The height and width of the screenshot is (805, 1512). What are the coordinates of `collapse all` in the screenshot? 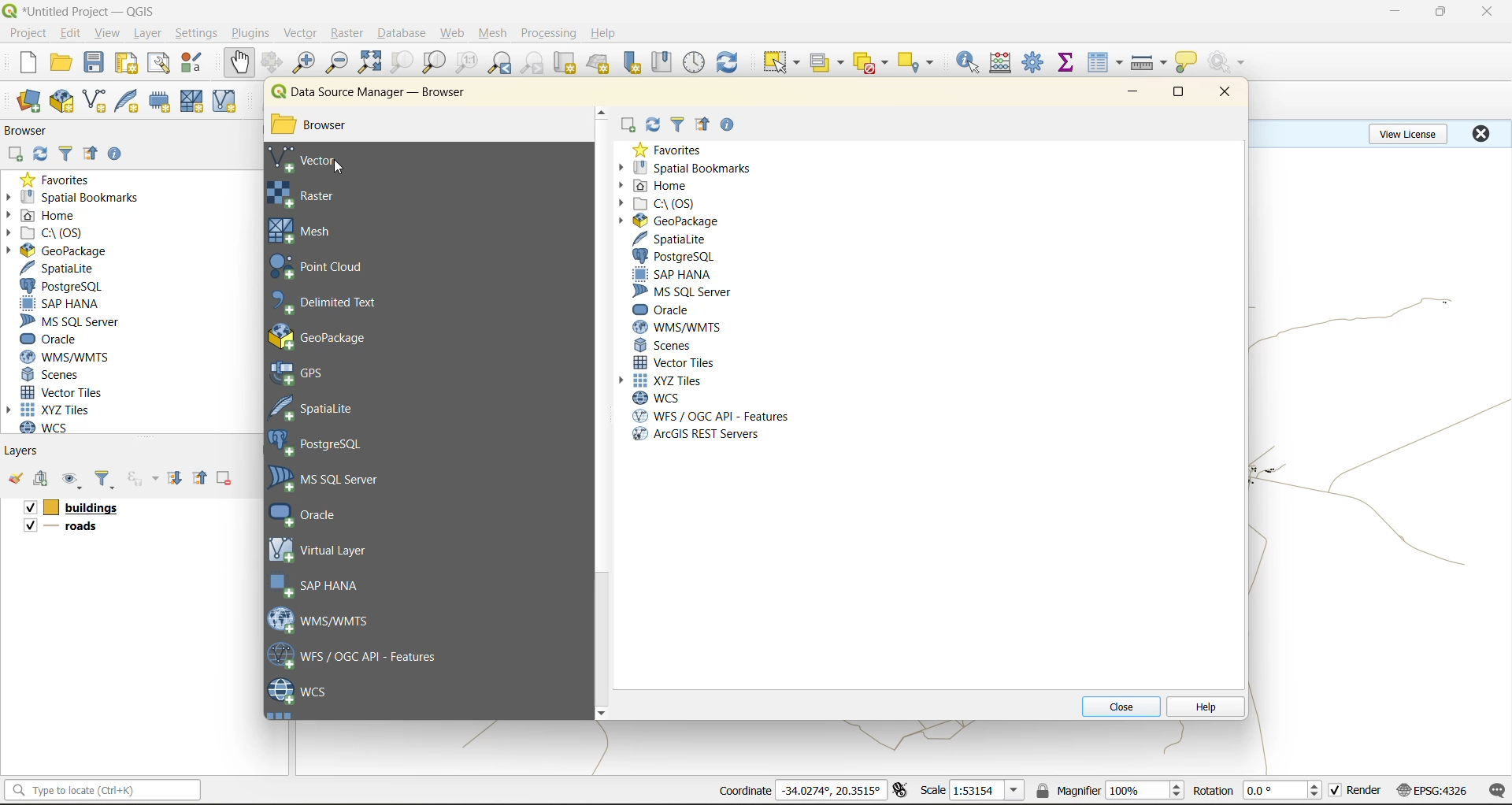 It's located at (705, 126).